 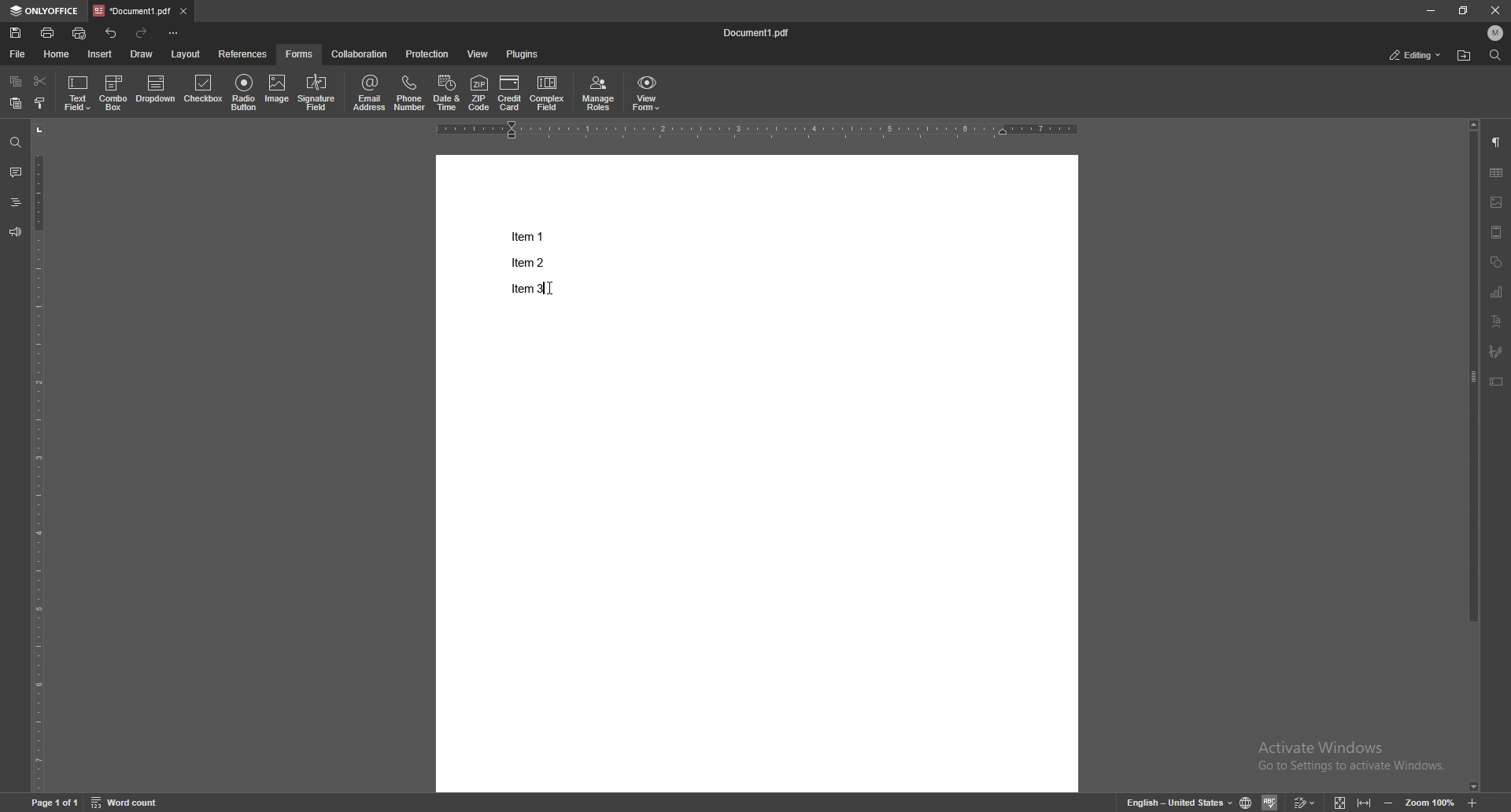 What do you see at coordinates (1498, 322) in the screenshot?
I see `text art` at bounding box center [1498, 322].